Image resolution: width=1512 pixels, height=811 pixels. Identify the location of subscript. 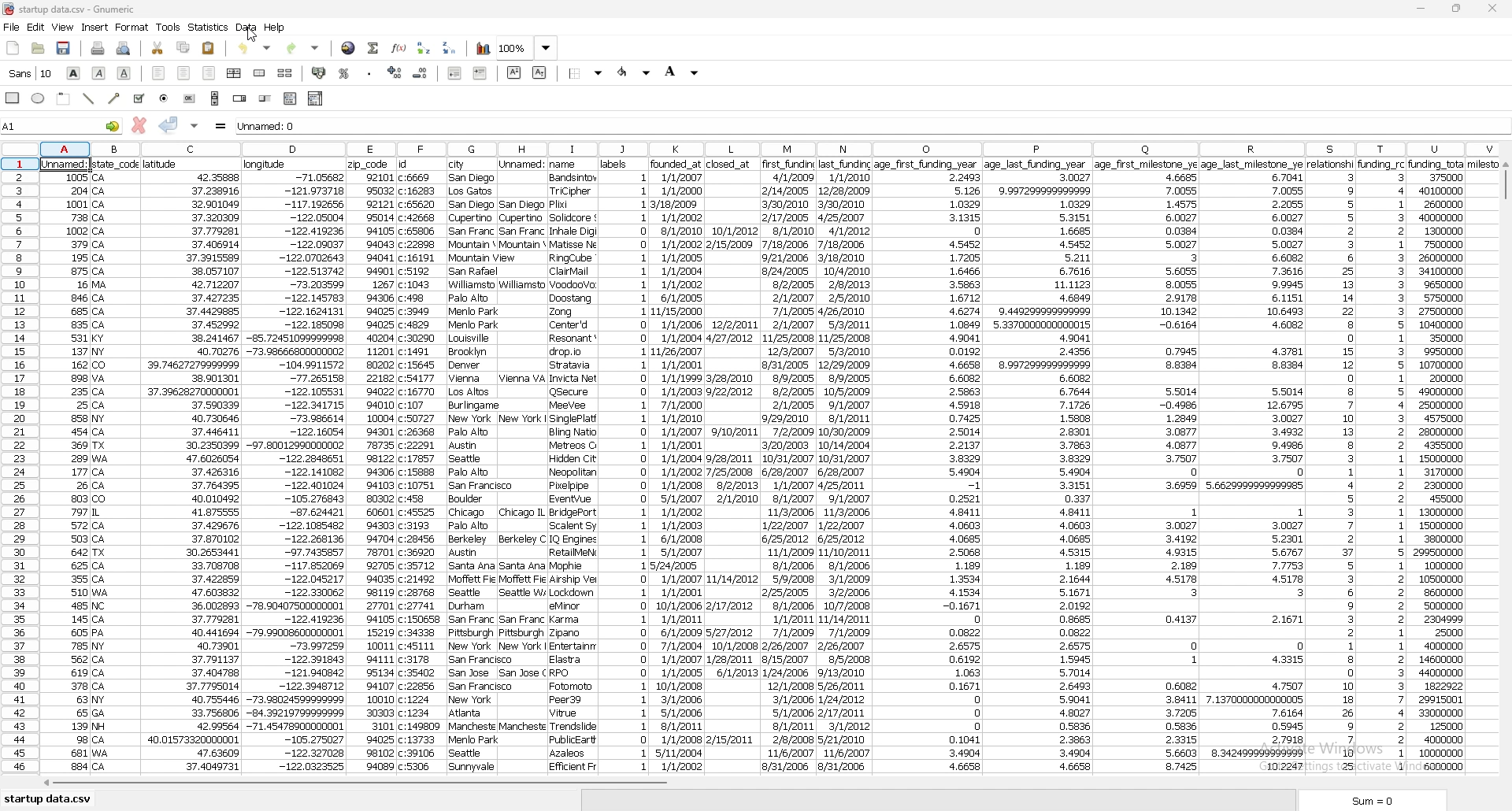
(539, 72).